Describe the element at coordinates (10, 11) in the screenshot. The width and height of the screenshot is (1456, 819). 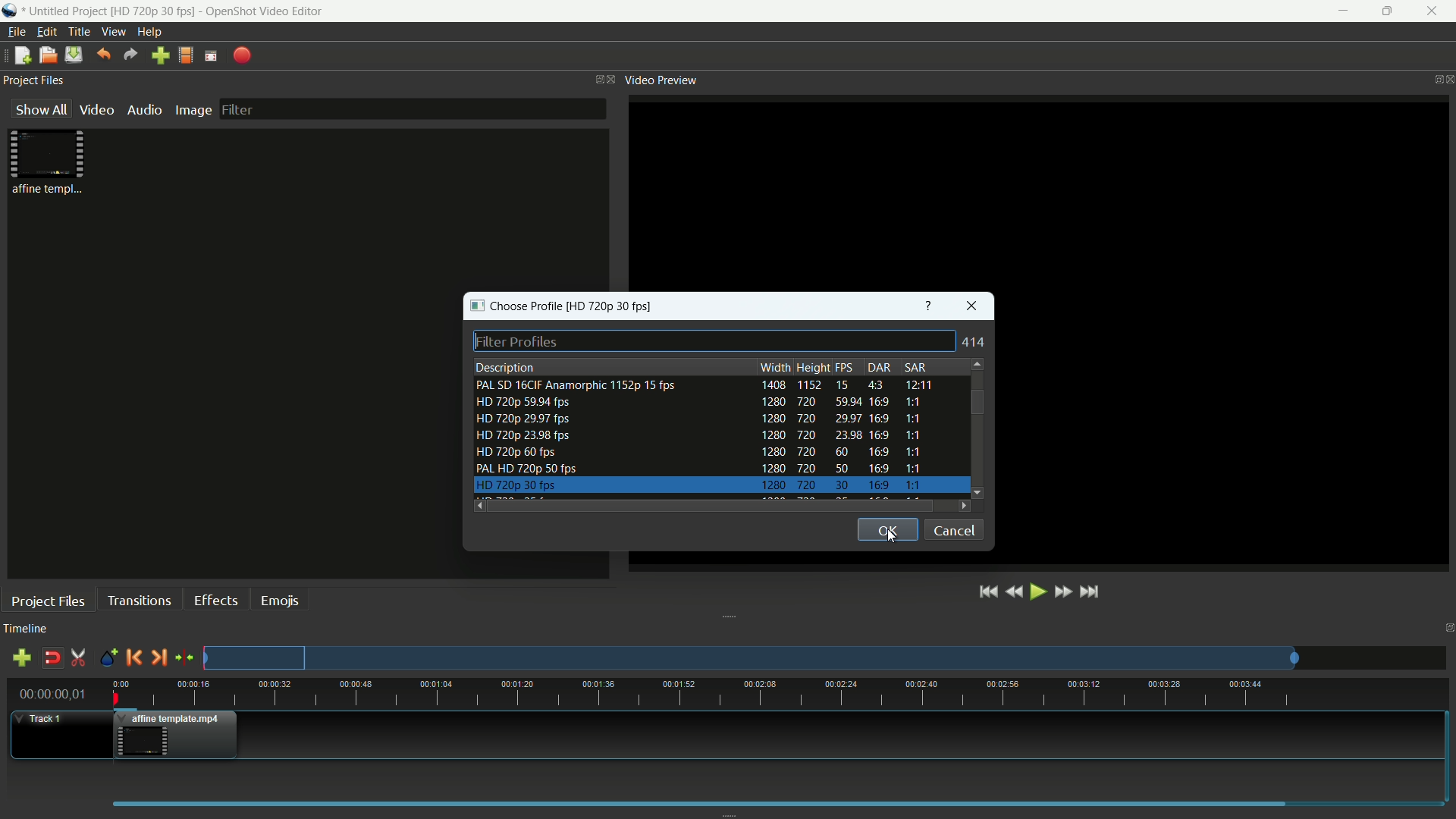
I see `app icon` at that location.